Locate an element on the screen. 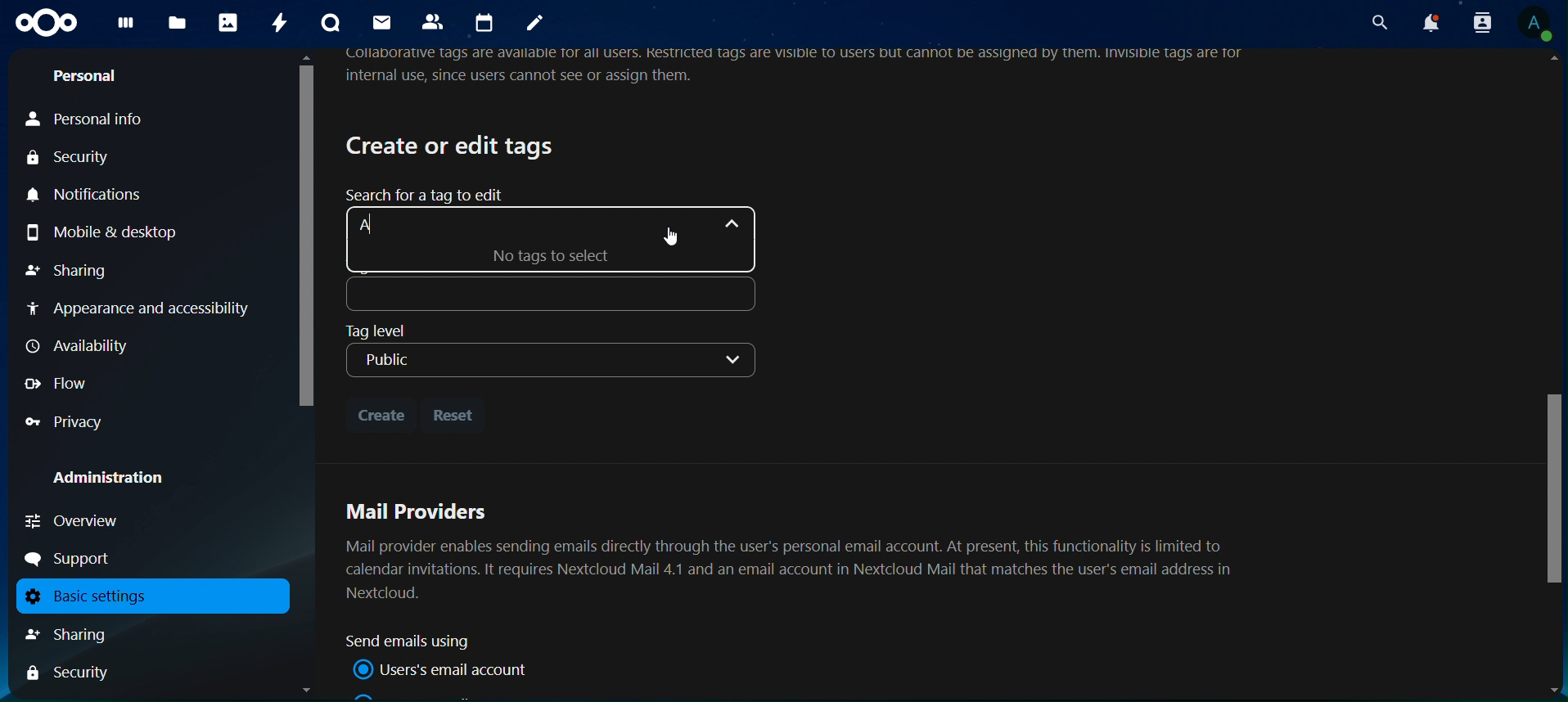  tag name is located at coordinates (546, 294).